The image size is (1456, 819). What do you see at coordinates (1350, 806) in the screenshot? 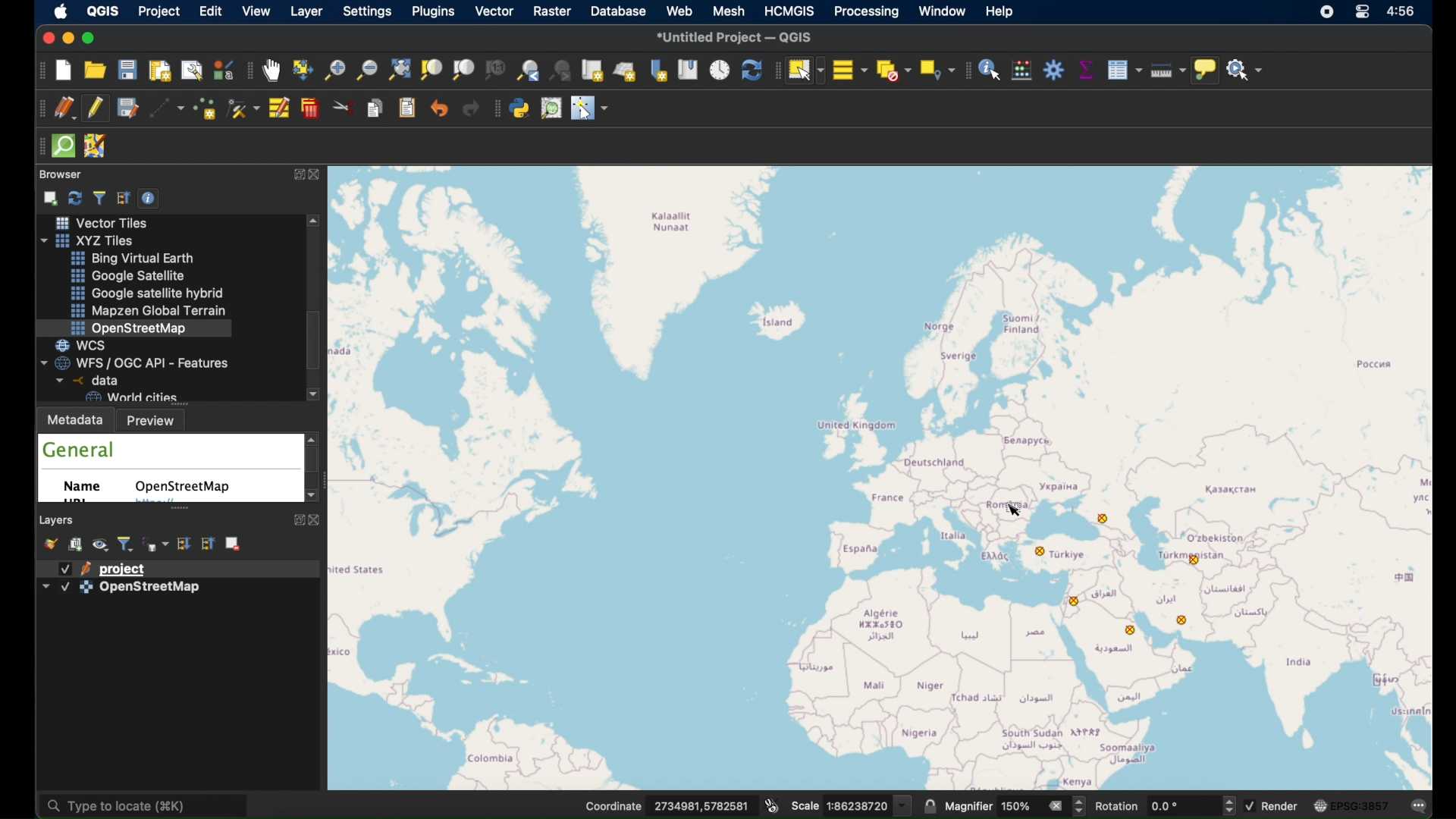
I see `current csr` at bounding box center [1350, 806].